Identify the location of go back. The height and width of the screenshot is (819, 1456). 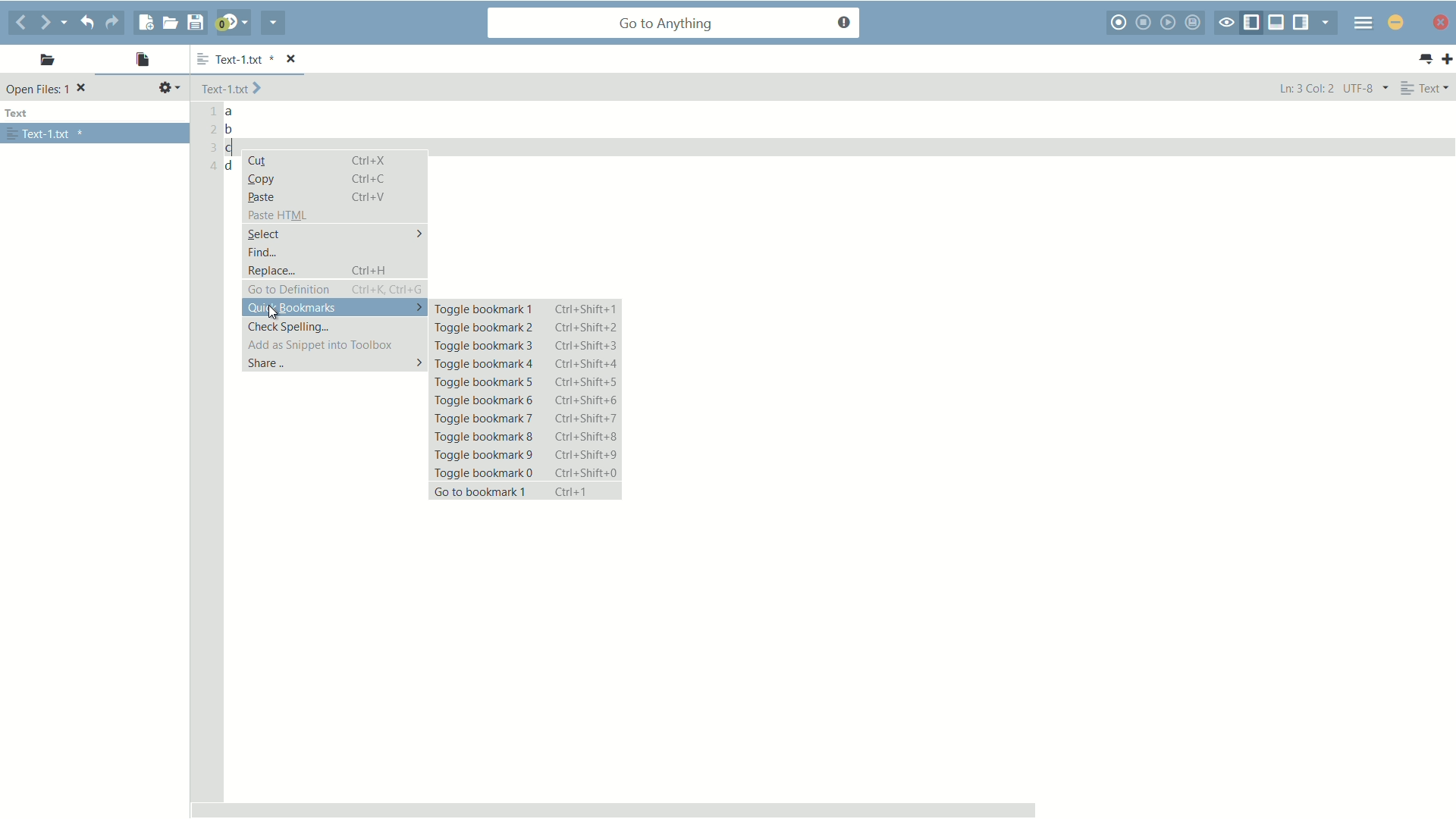
(20, 22).